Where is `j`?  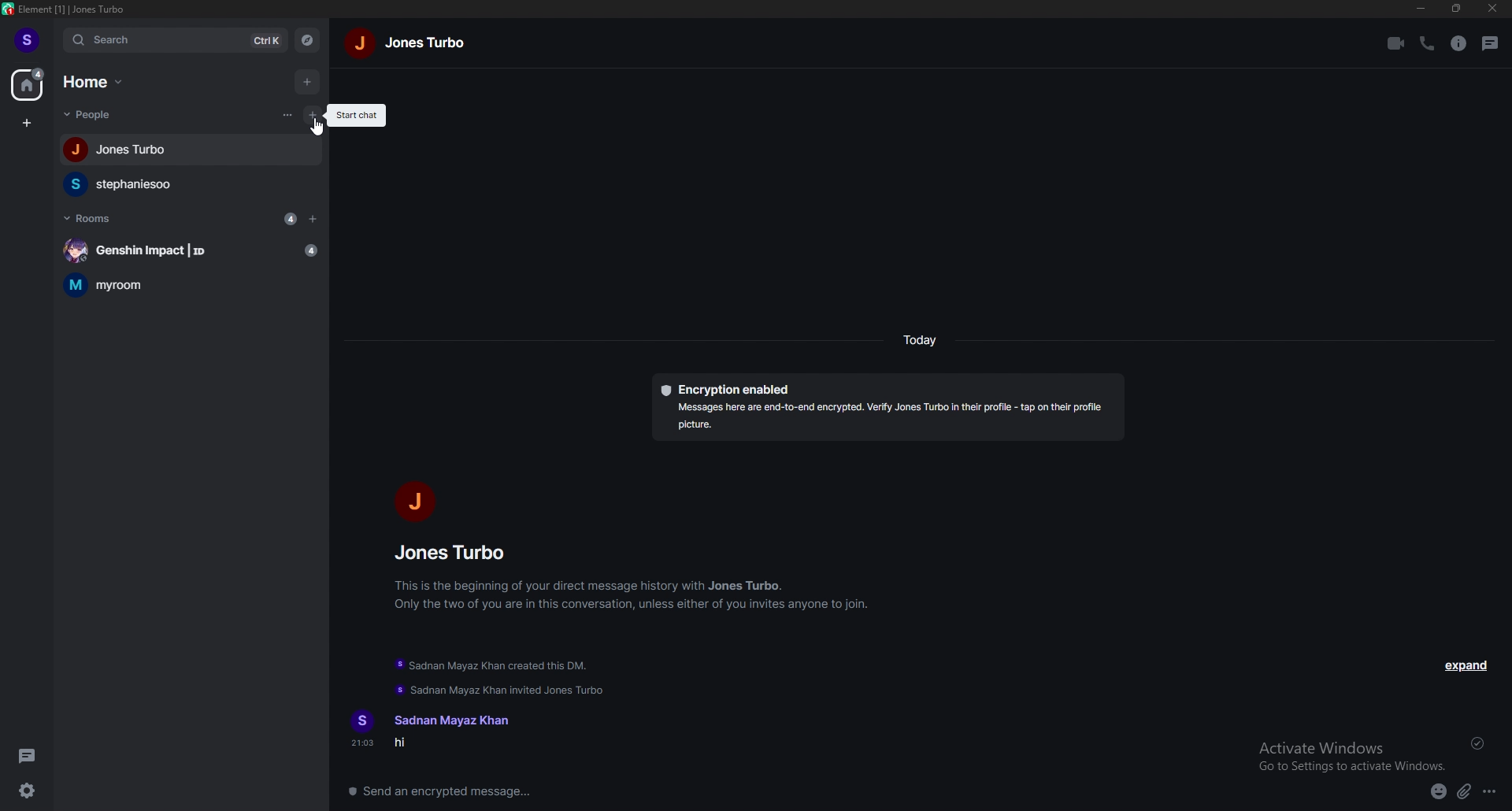
j is located at coordinates (362, 47).